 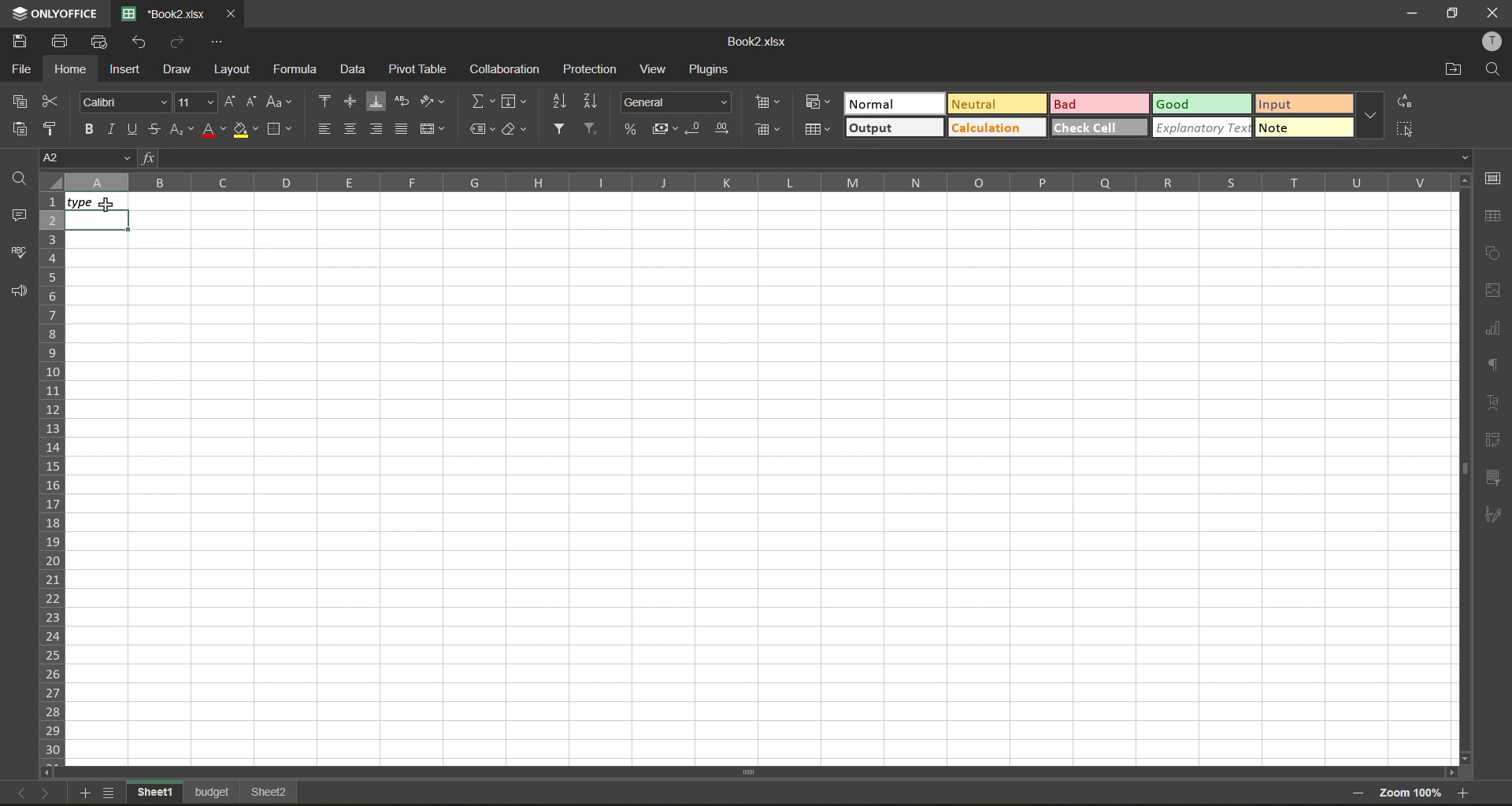 What do you see at coordinates (353, 103) in the screenshot?
I see `align middle` at bounding box center [353, 103].